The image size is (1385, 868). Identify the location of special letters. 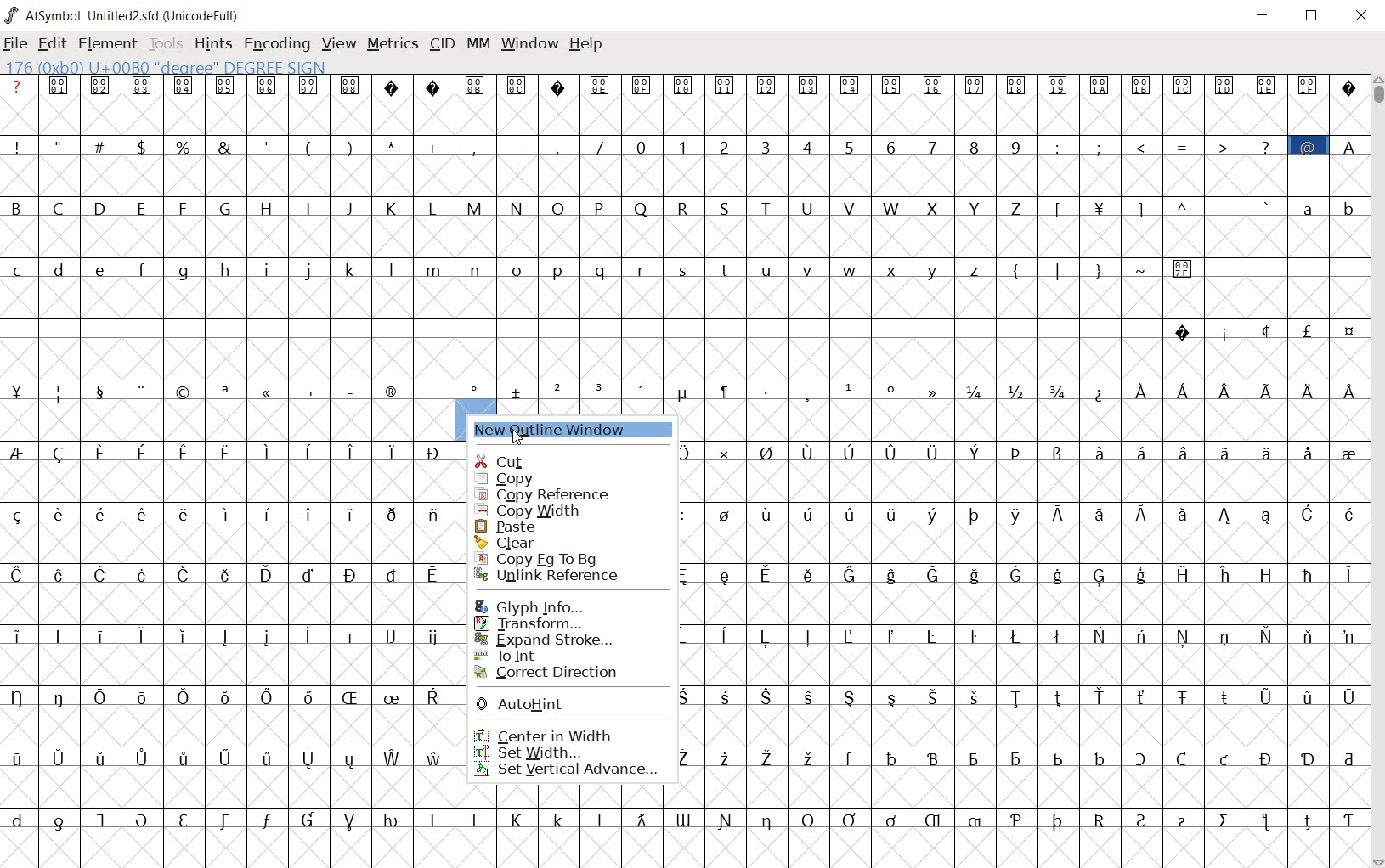
(1020, 634).